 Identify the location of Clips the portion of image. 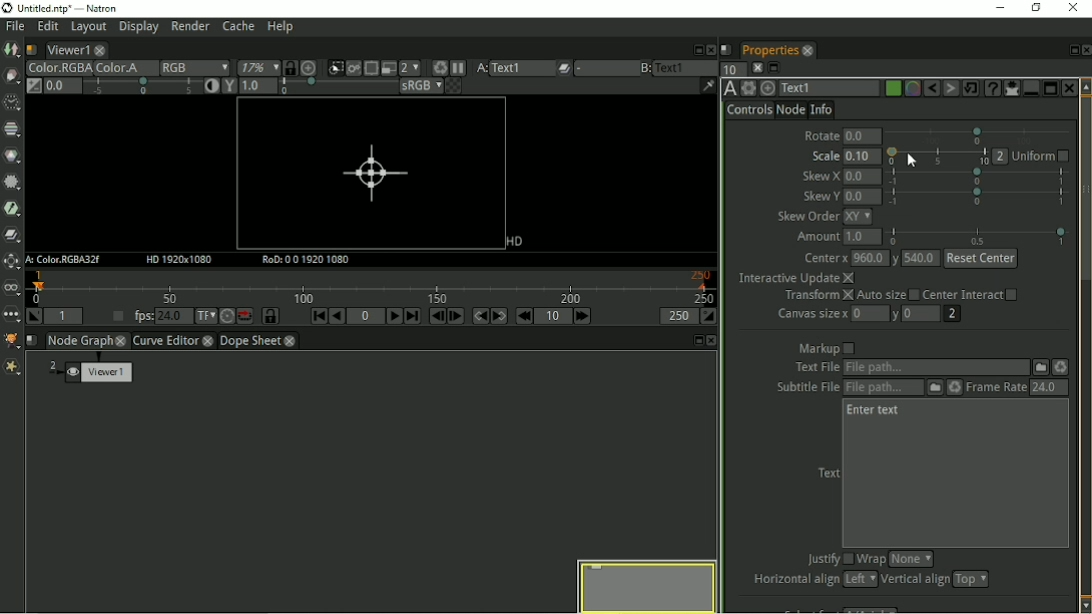
(331, 67).